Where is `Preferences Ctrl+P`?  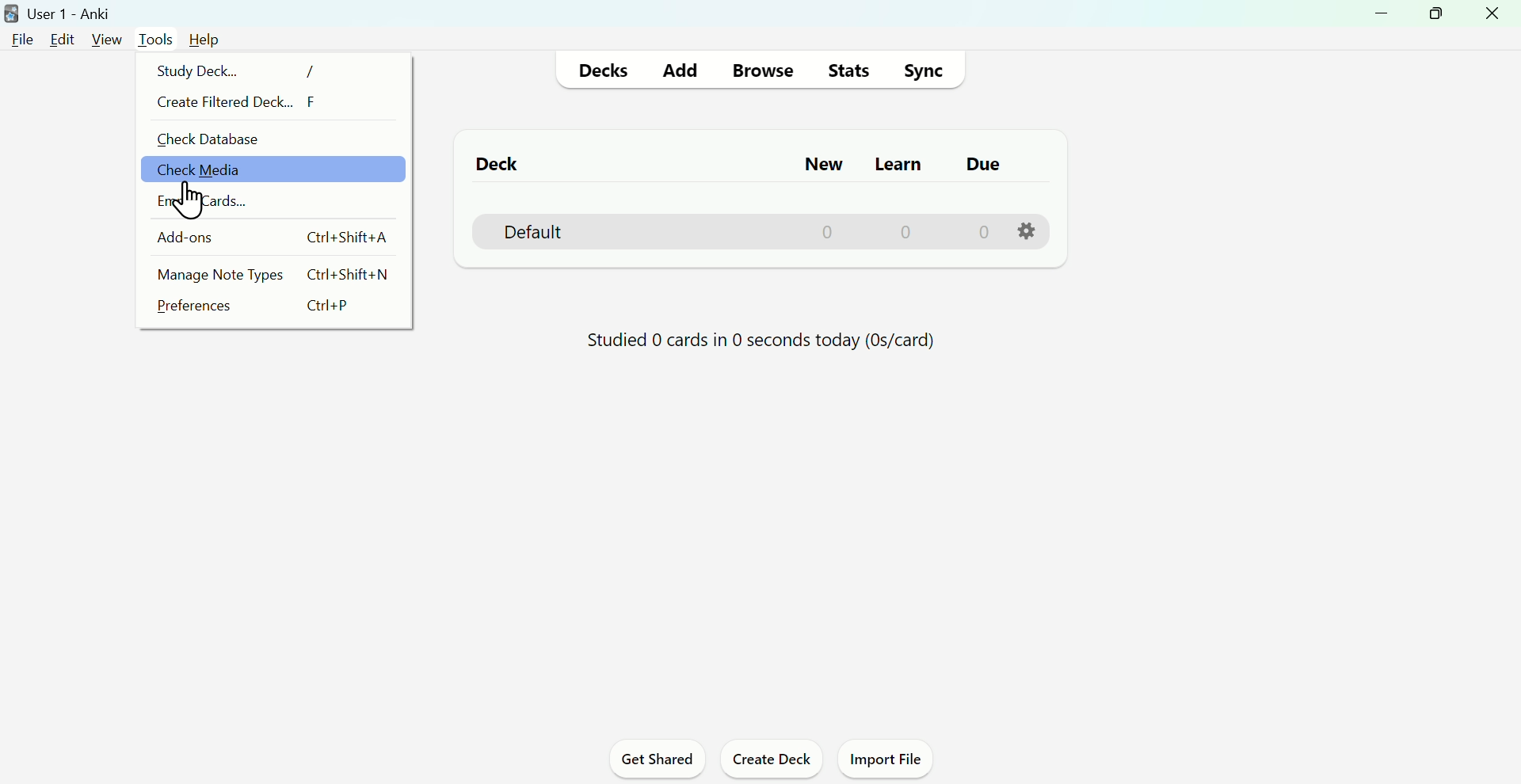 Preferences Ctrl+P is located at coordinates (266, 310).